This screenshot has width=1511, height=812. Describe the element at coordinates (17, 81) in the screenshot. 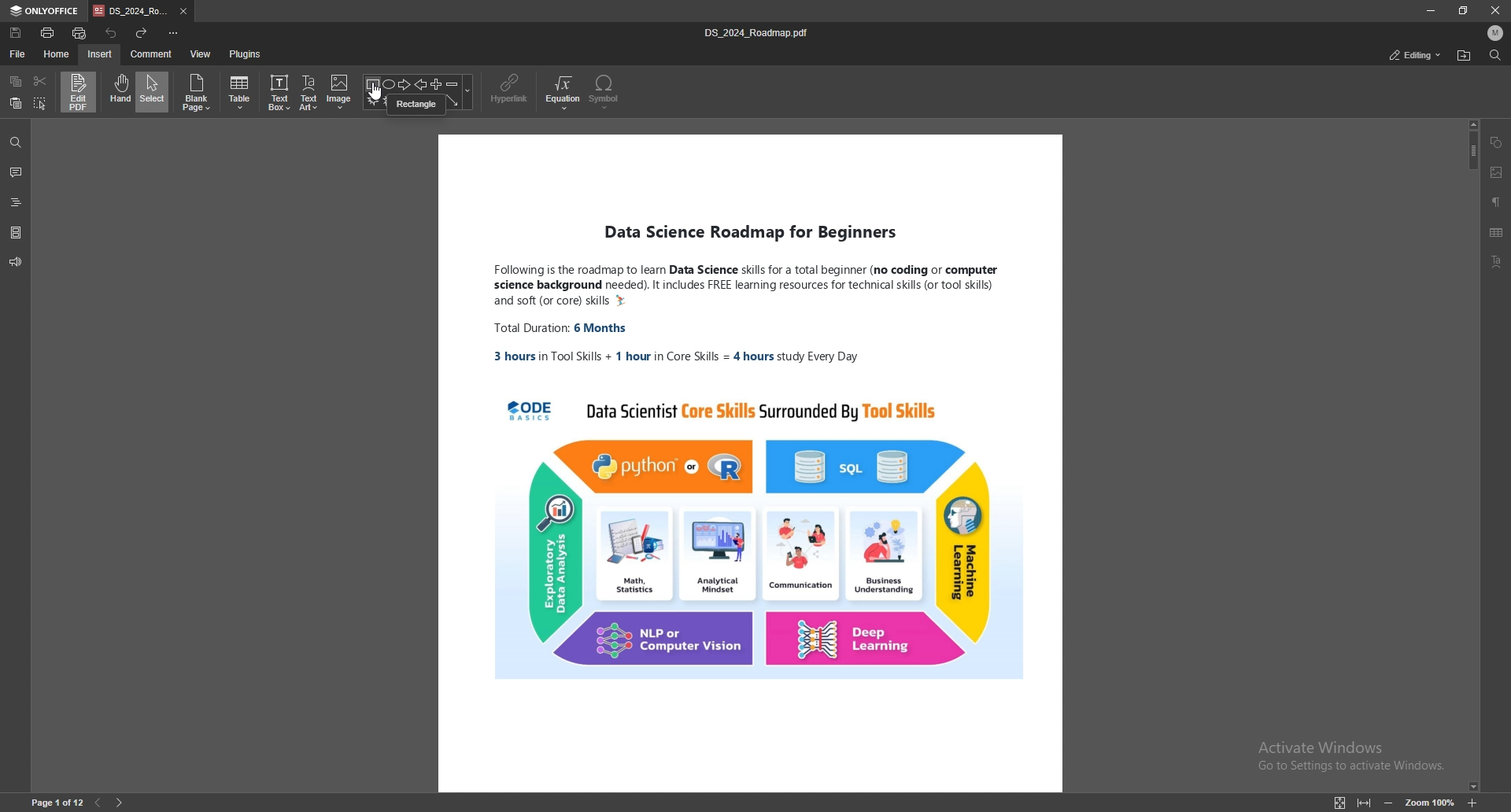

I see `copy` at that location.